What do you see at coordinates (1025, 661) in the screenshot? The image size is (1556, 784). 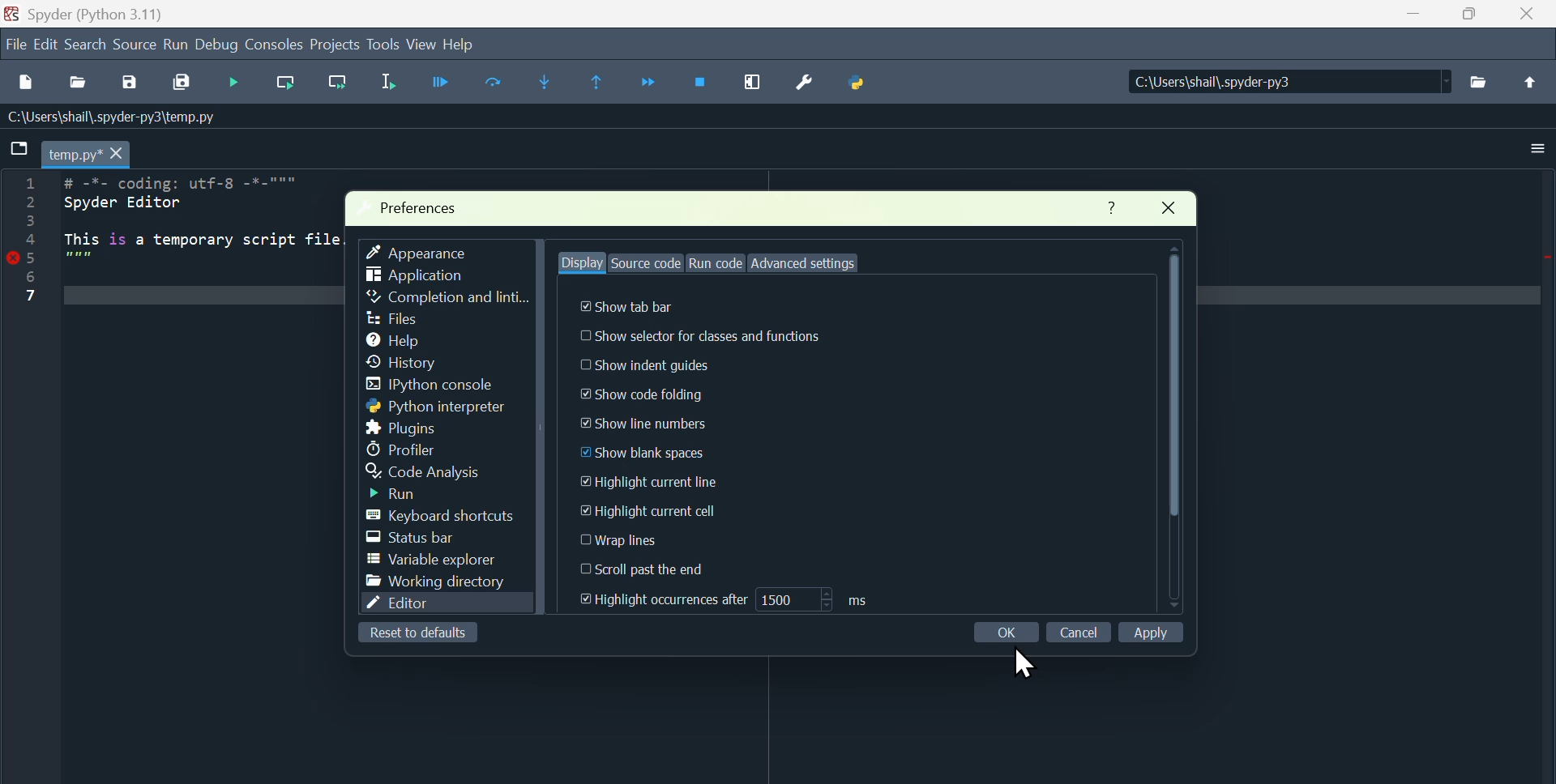 I see `cursor on OK` at bounding box center [1025, 661].